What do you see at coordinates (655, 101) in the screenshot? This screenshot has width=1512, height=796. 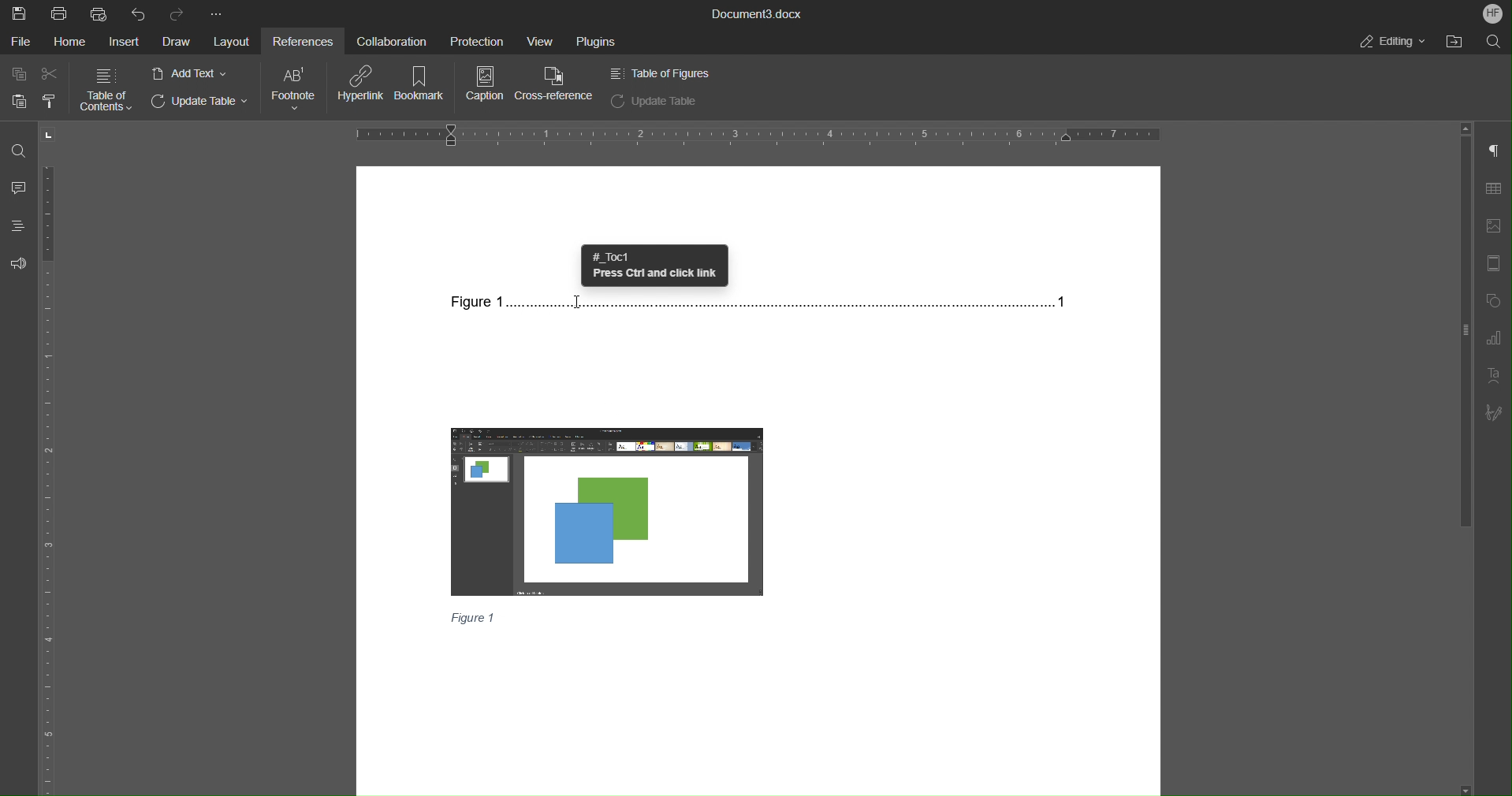 I see `Update Table` at bounding box center [655, 101].